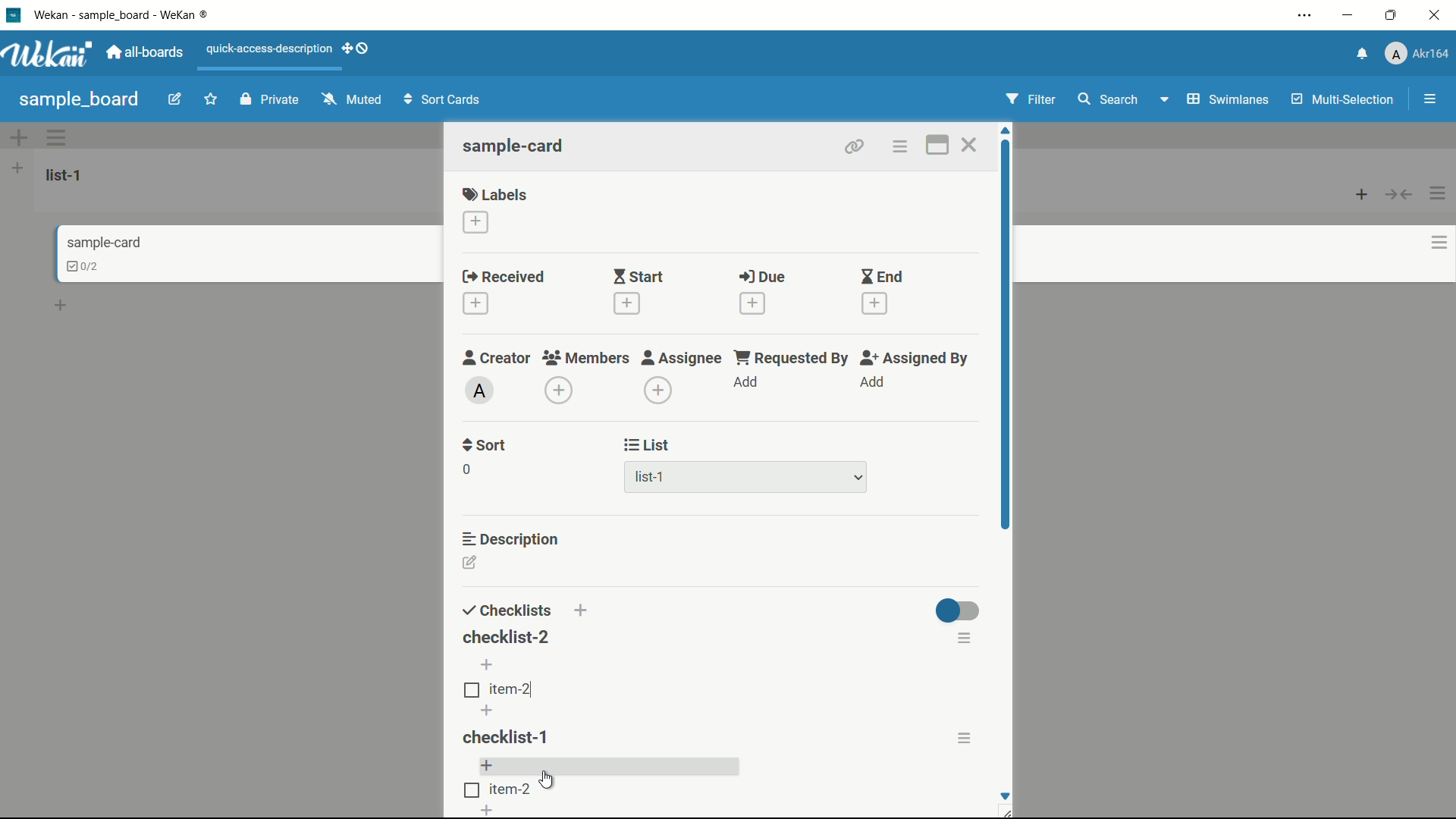 The height and width of the screenshot is (819, 1456). Describe the element at coordinates (1307, 17) in the screenshot. I see `settings and more` at that location.